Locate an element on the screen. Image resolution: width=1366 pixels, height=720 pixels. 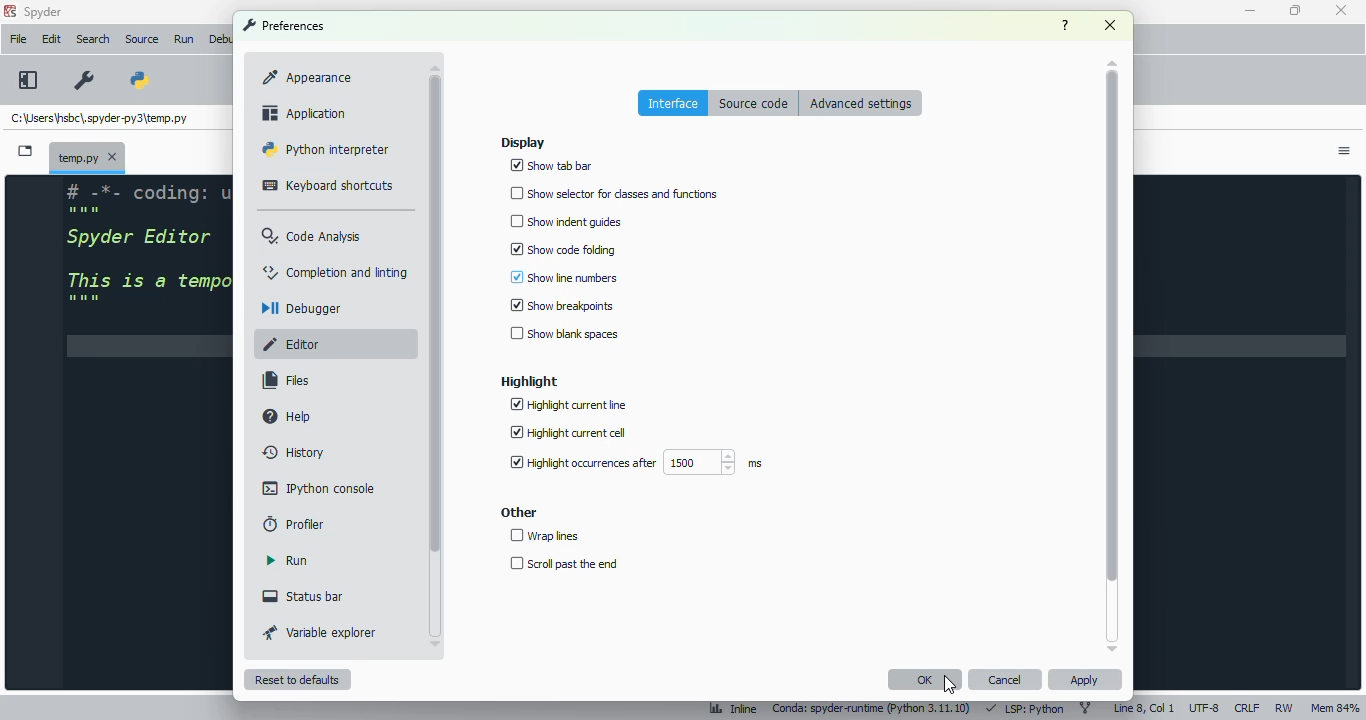
options is located at coordinates (1346, 153).